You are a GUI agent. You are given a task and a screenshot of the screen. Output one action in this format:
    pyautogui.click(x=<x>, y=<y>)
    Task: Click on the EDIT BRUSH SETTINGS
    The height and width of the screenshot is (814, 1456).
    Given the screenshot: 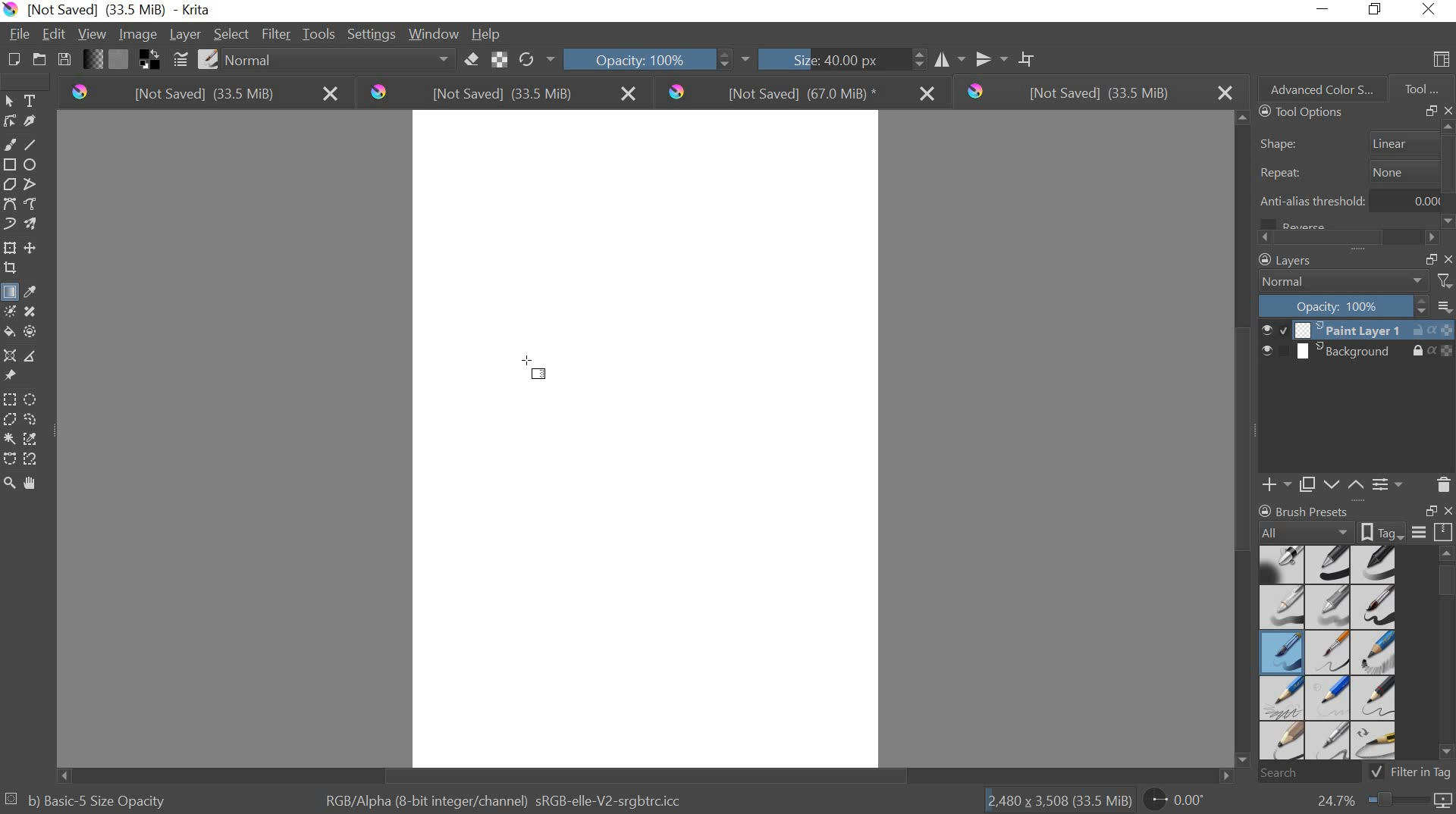 What is the action you would take?
    pyautogui.click(x=178, y=60)
    